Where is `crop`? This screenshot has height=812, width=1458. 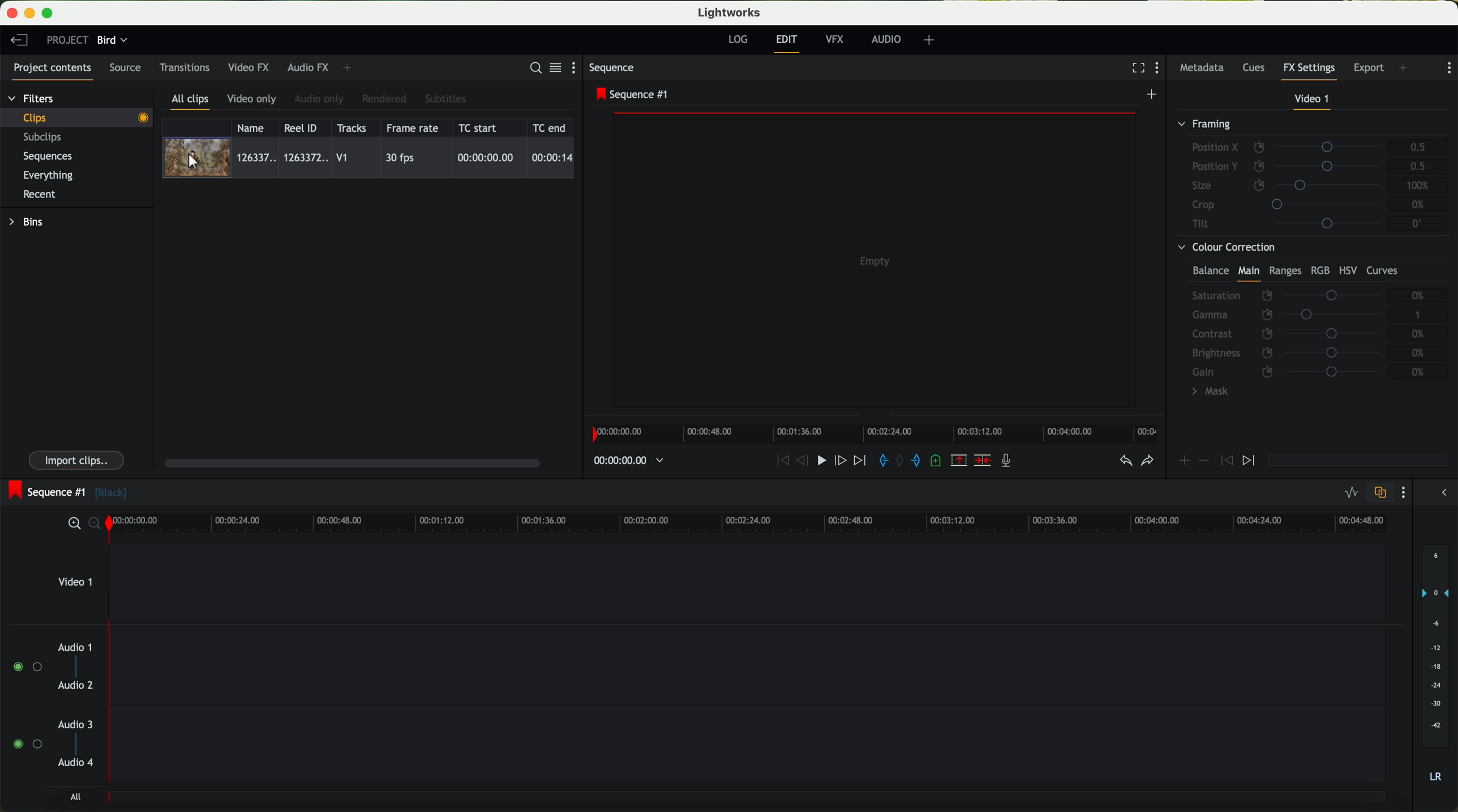 crop is located at coordinates (1290, 204).